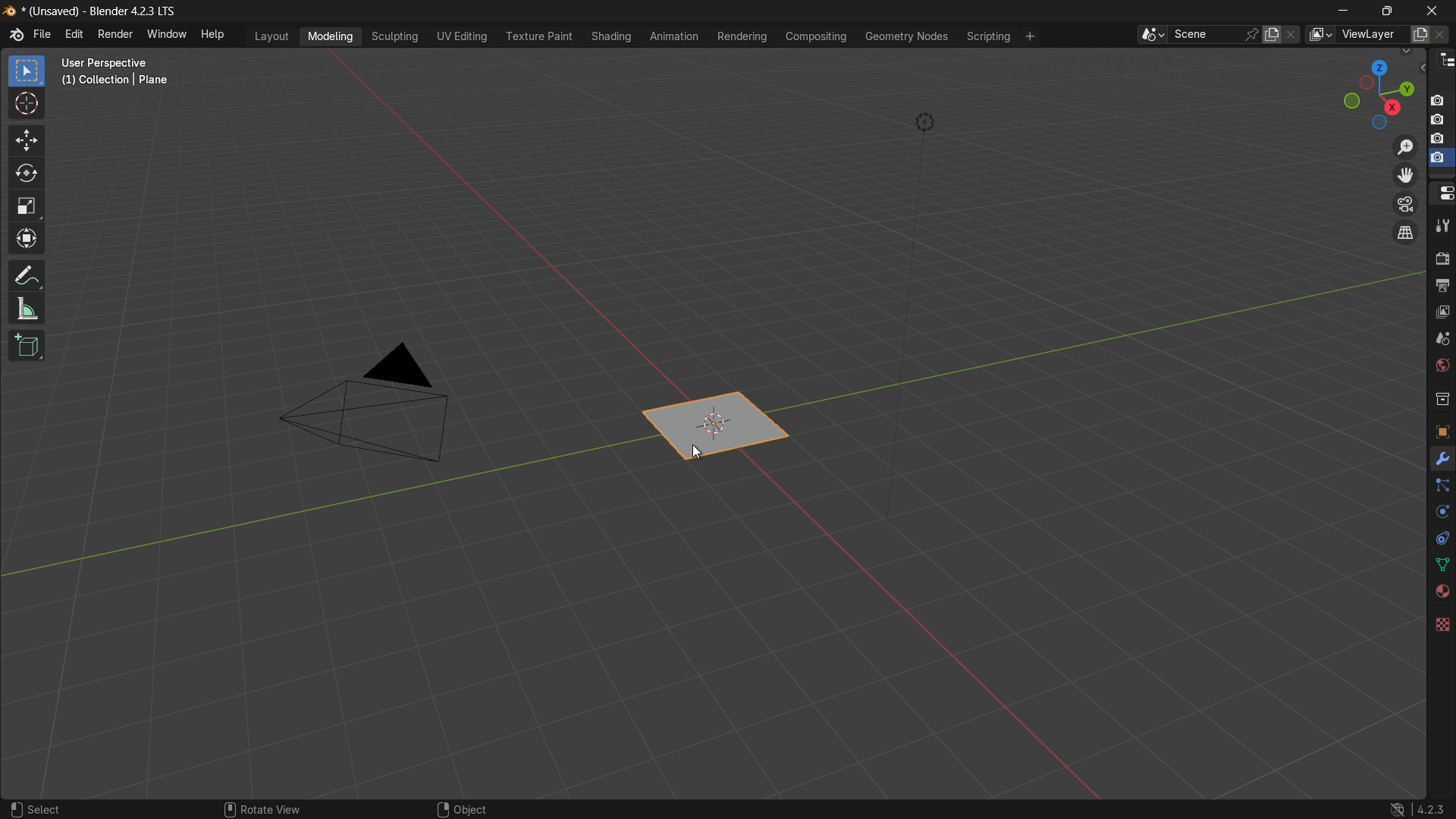 Image resolution: width=1456 pixels, height=819 pixels. What do you see at coordinates (395, 37) in the screenshot?
I see `sculpting` at bounding box center [395, 37].